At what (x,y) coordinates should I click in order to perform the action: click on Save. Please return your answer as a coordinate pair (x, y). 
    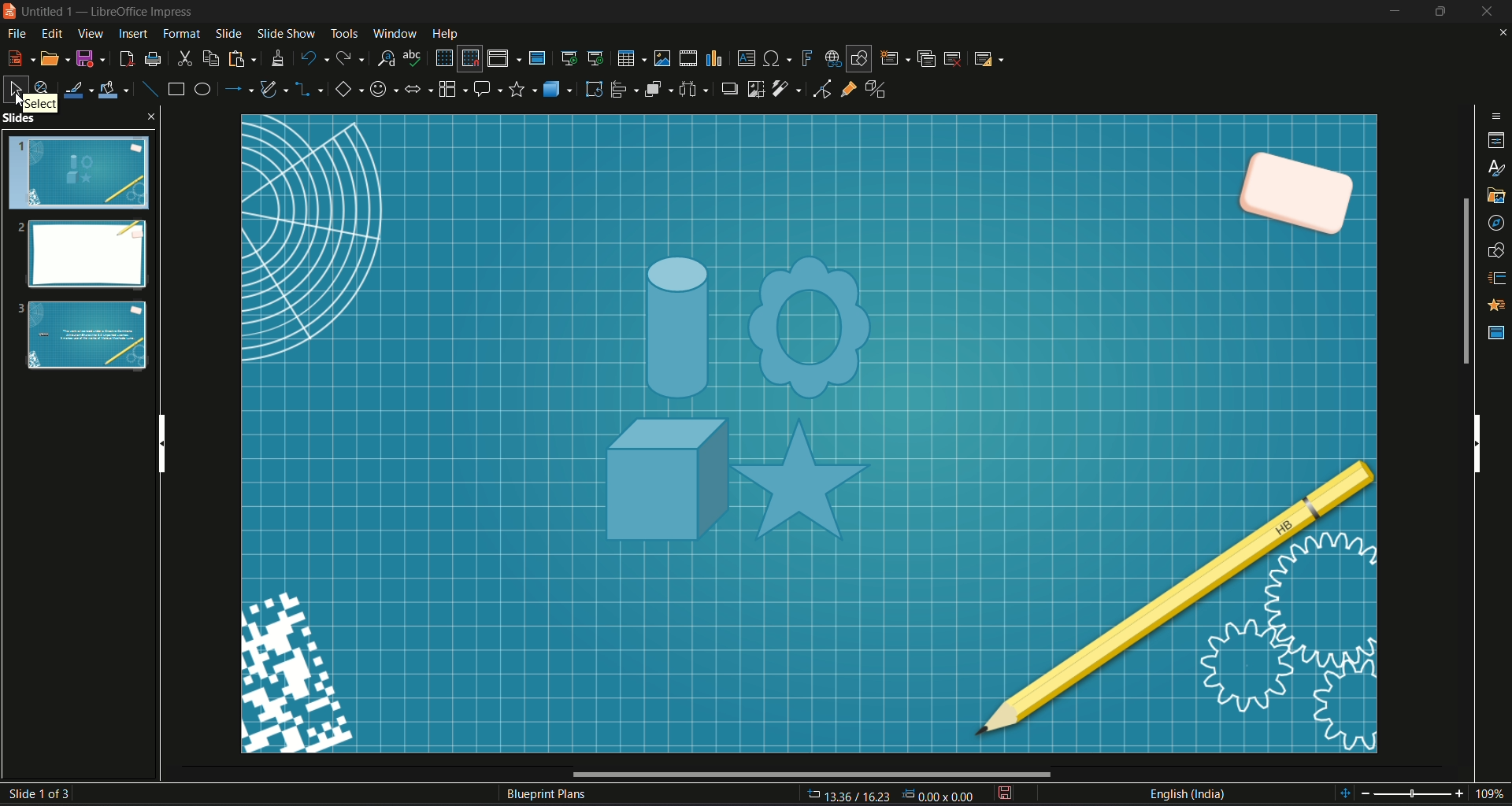
    Looking at the image, I should click on (91, 59).